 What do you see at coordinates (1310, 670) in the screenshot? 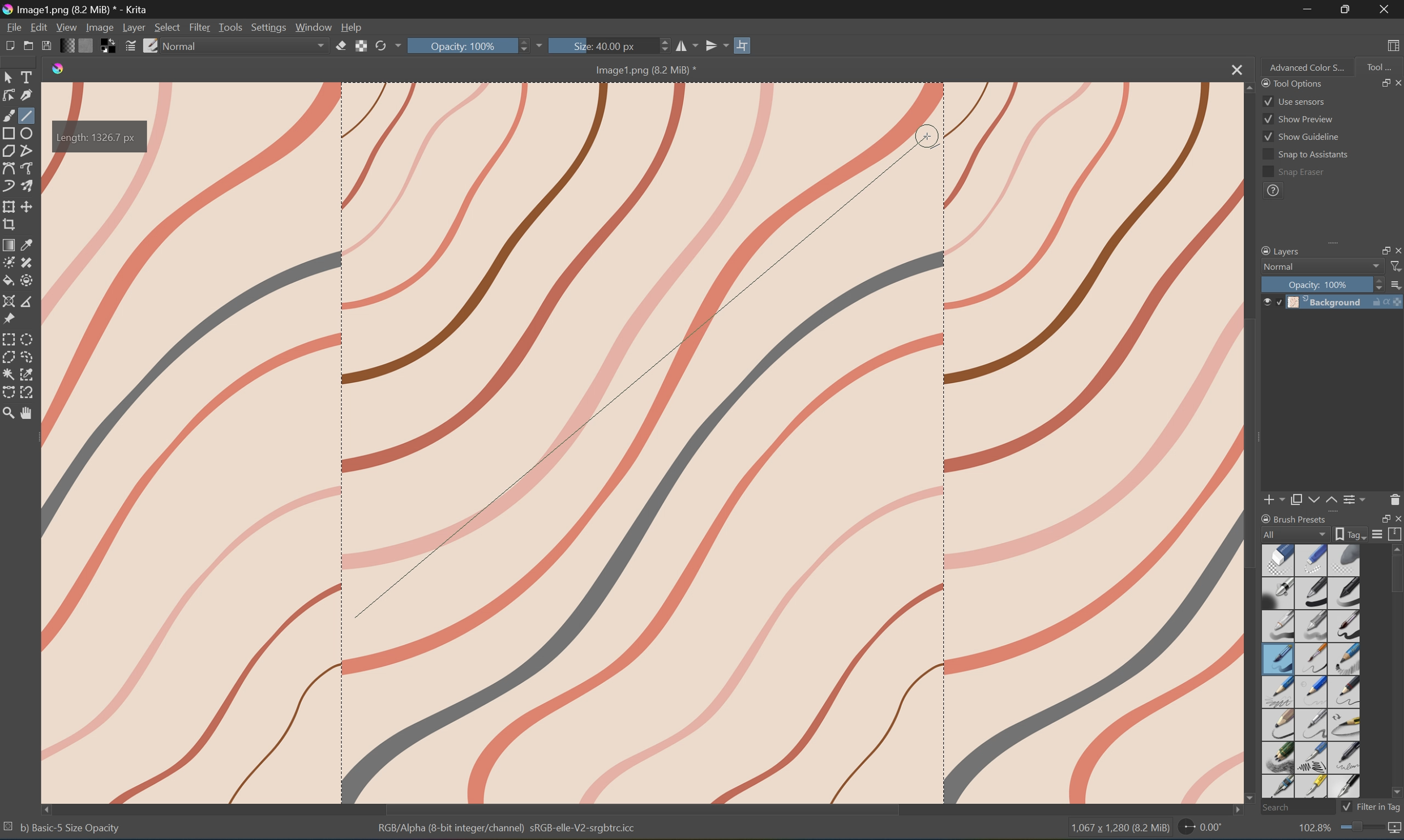
I see `Type of brushes` at bounding box center [1310, 670].